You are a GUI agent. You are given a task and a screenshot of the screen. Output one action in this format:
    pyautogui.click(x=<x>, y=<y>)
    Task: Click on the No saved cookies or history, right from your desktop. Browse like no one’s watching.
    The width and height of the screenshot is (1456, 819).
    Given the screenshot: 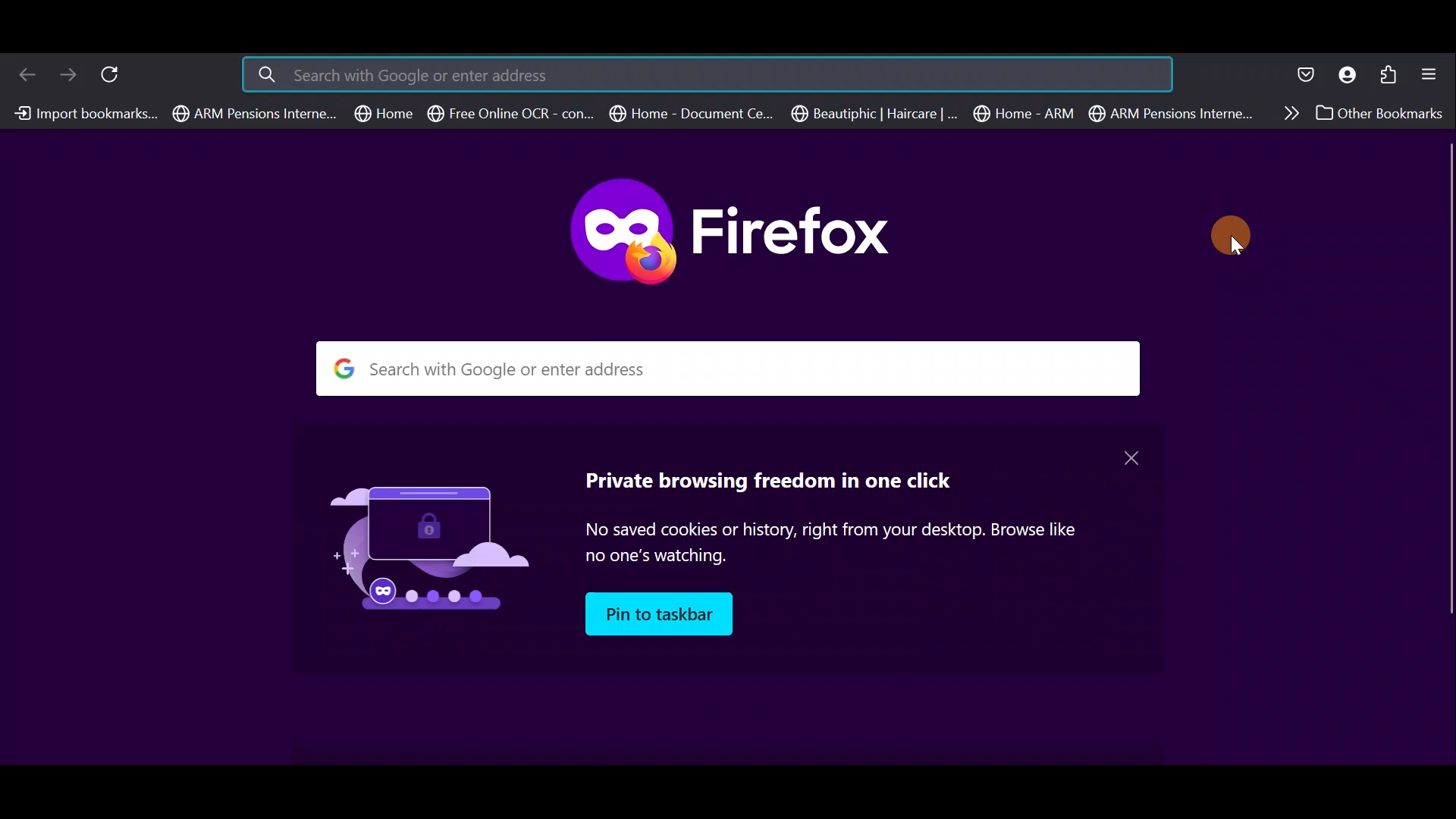 What is the action you would take?
    pyautogui.click(x=836, y=544)
    